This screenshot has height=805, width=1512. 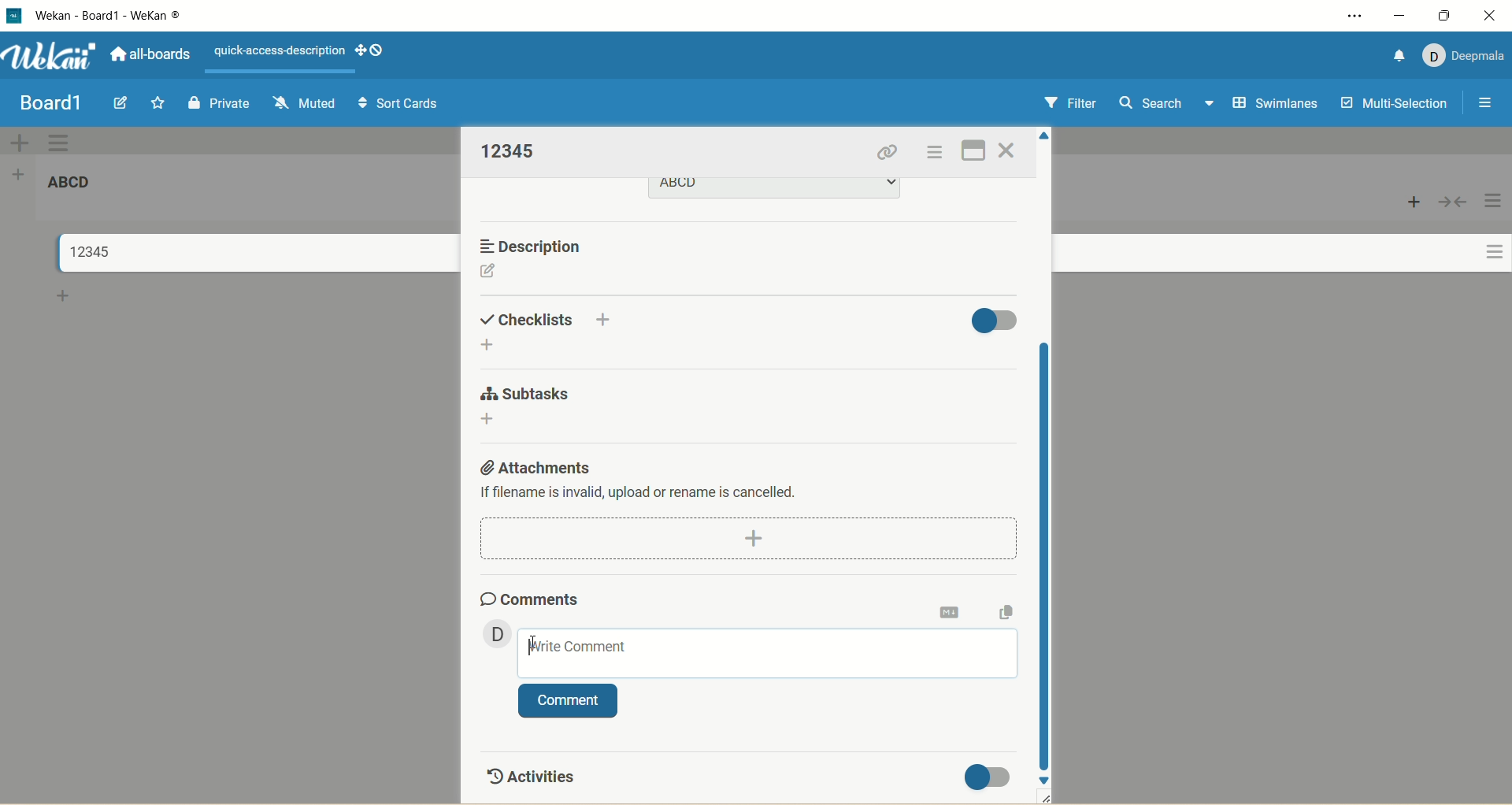 What do you see at coordinates (532, 647) in the screenshot?
I see `cursor` at bounding box center [532, 647].